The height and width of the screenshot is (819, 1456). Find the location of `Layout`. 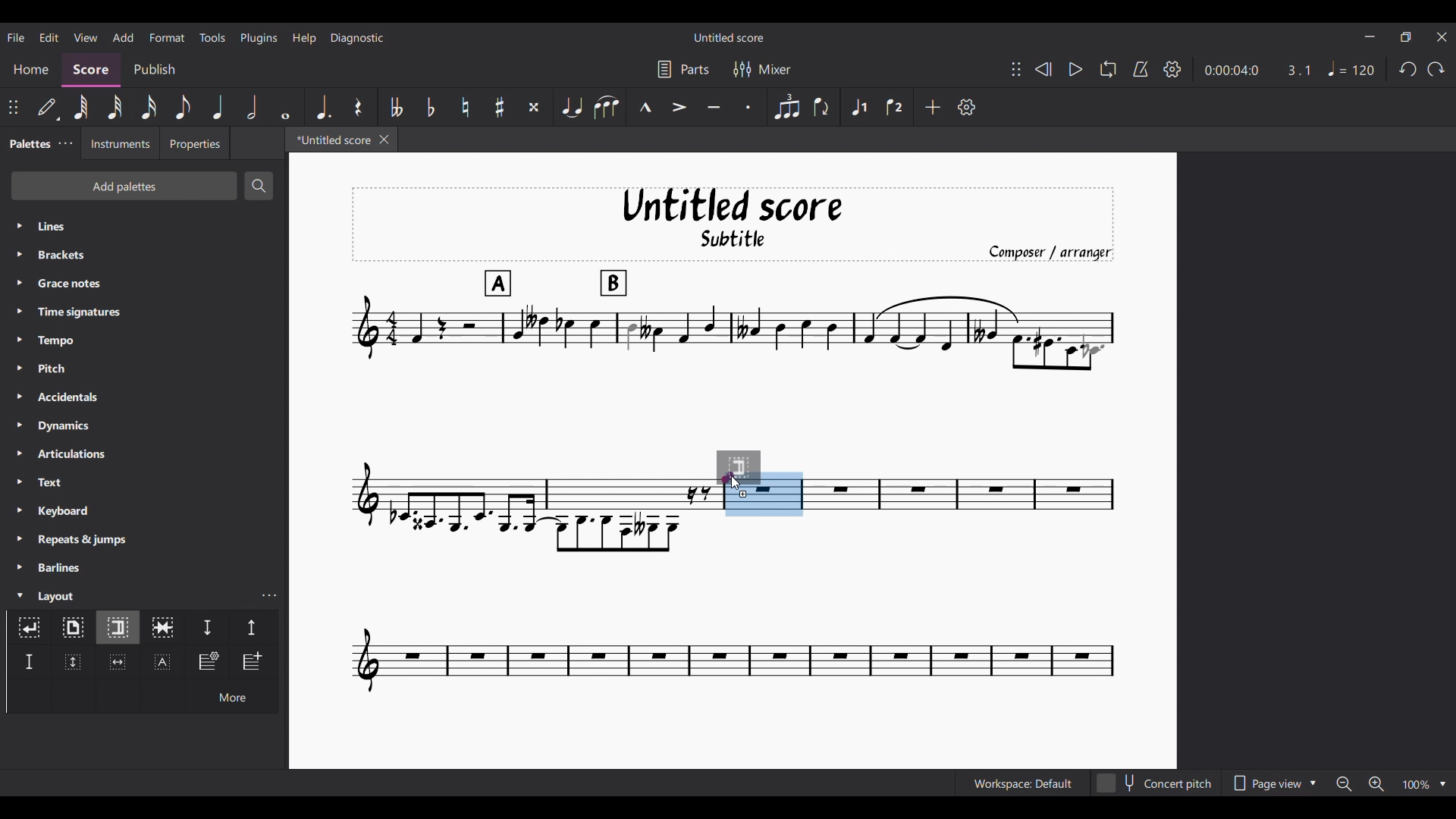

Layout is located at coordinates (129, 595).